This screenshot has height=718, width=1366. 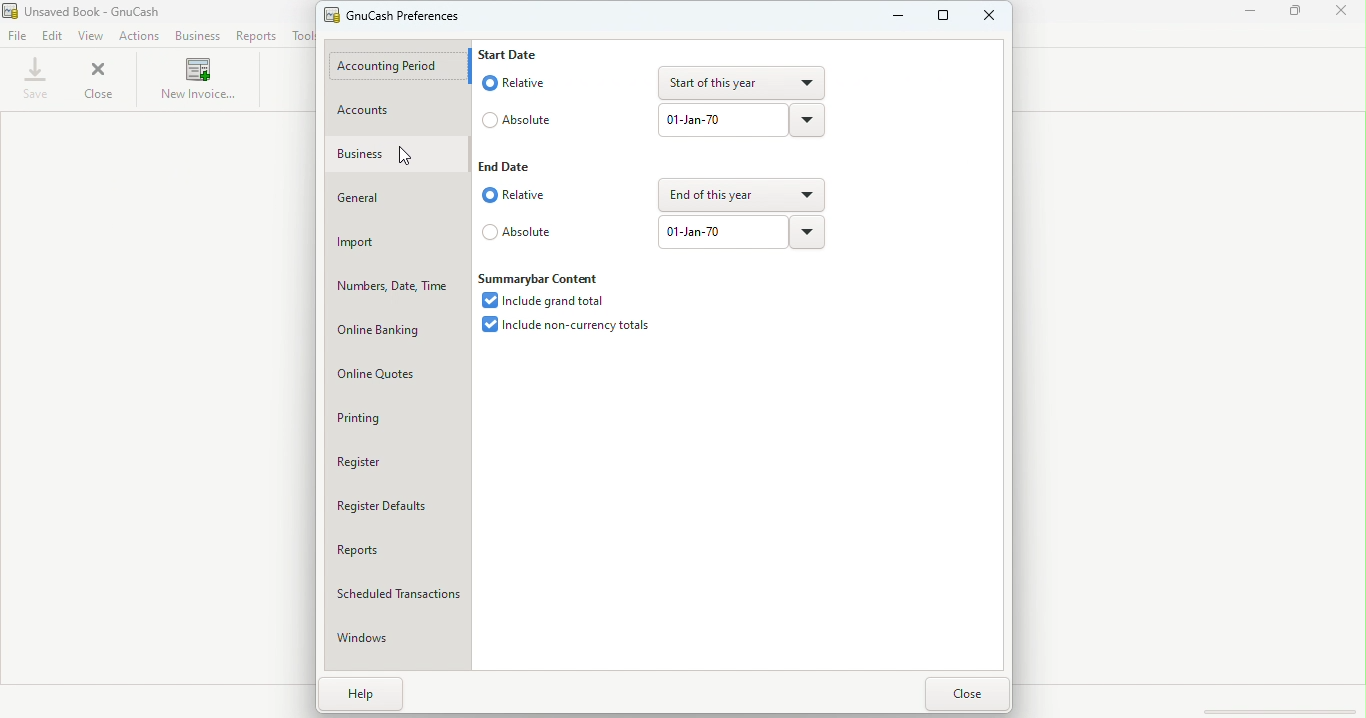 I want to click on Maximize, so click(x=943, y=22).